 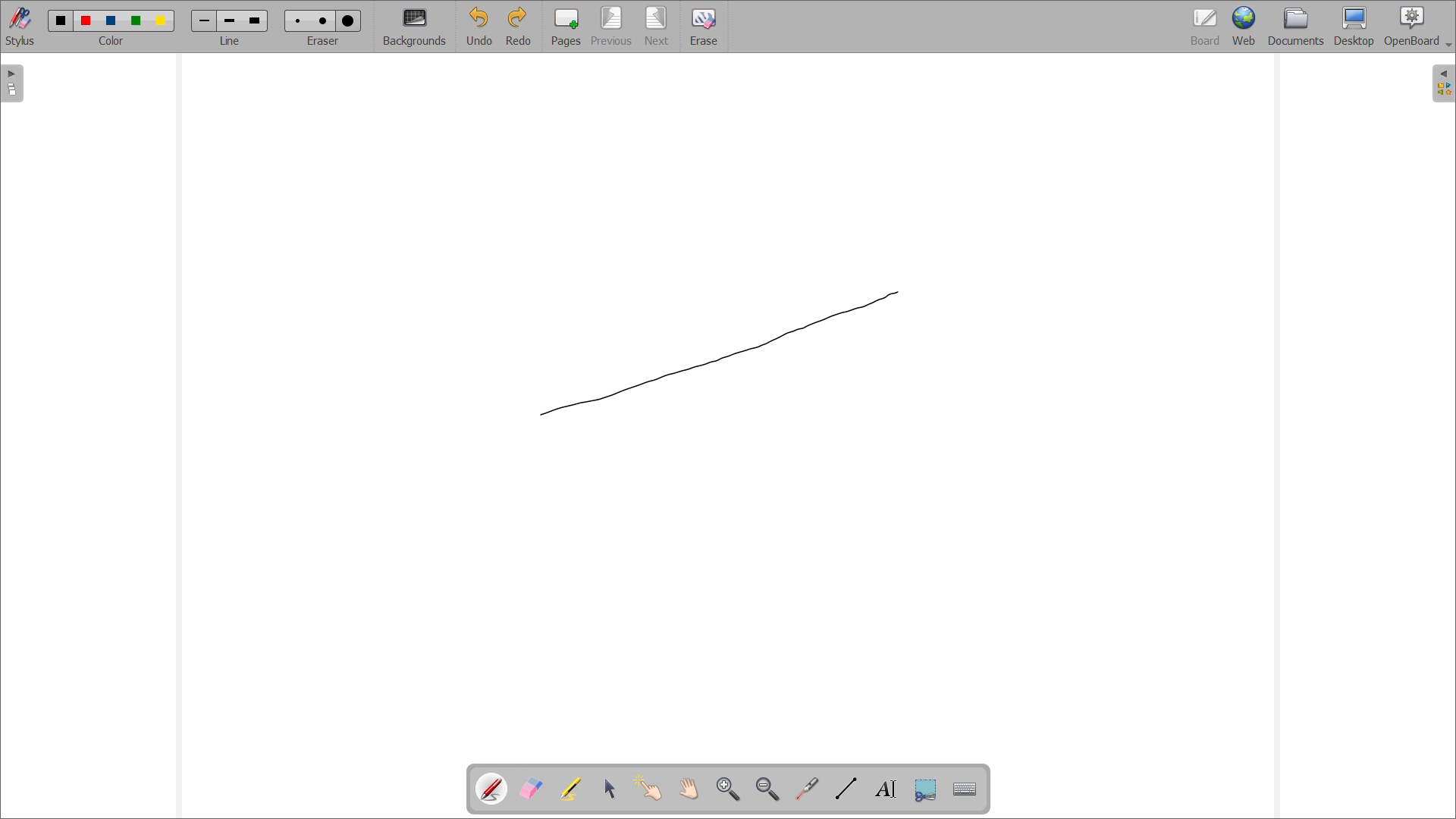 I want to click on virtual keyboard, so click(x=966, y=790).